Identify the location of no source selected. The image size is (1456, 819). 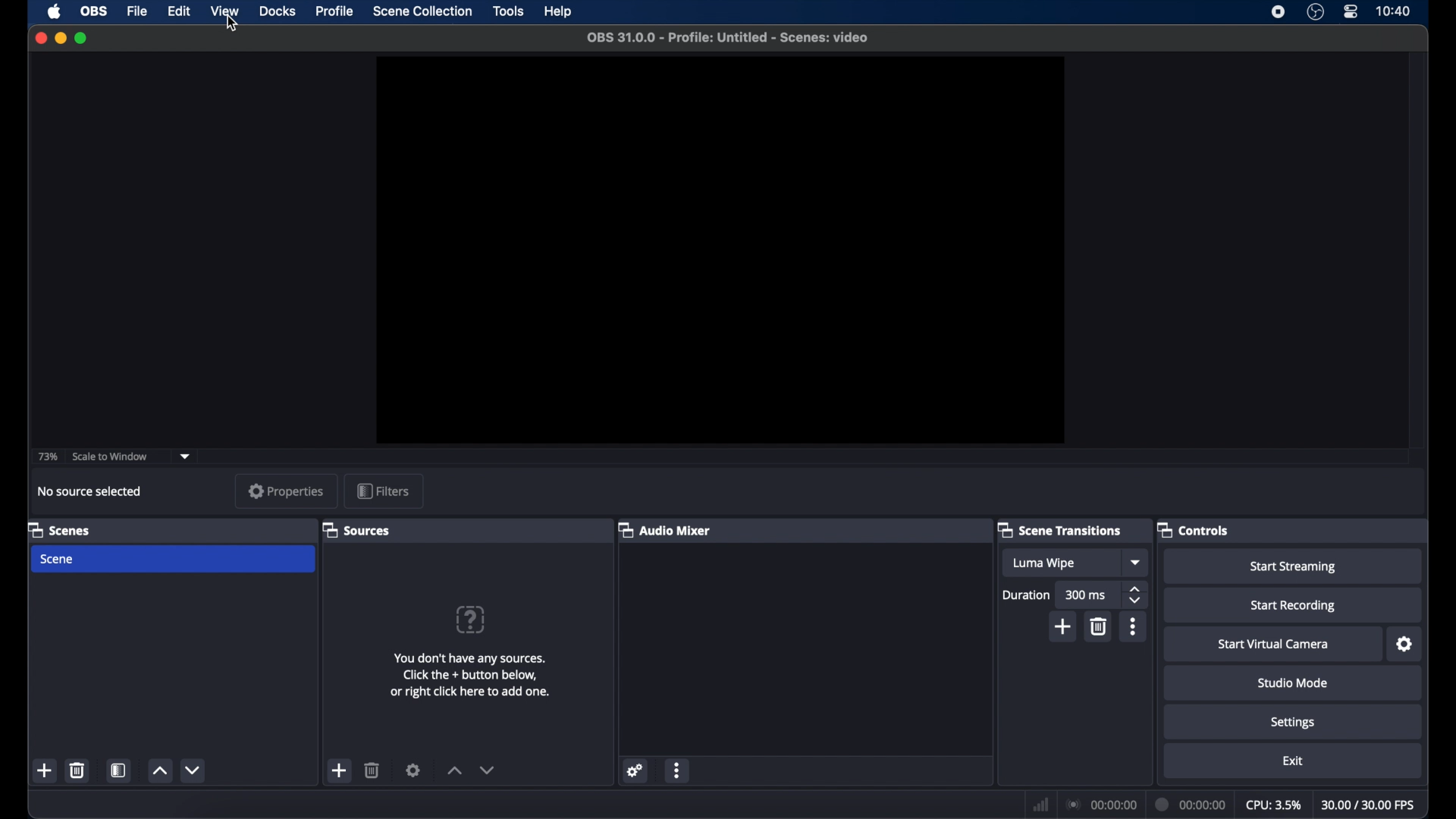
(90, 491).